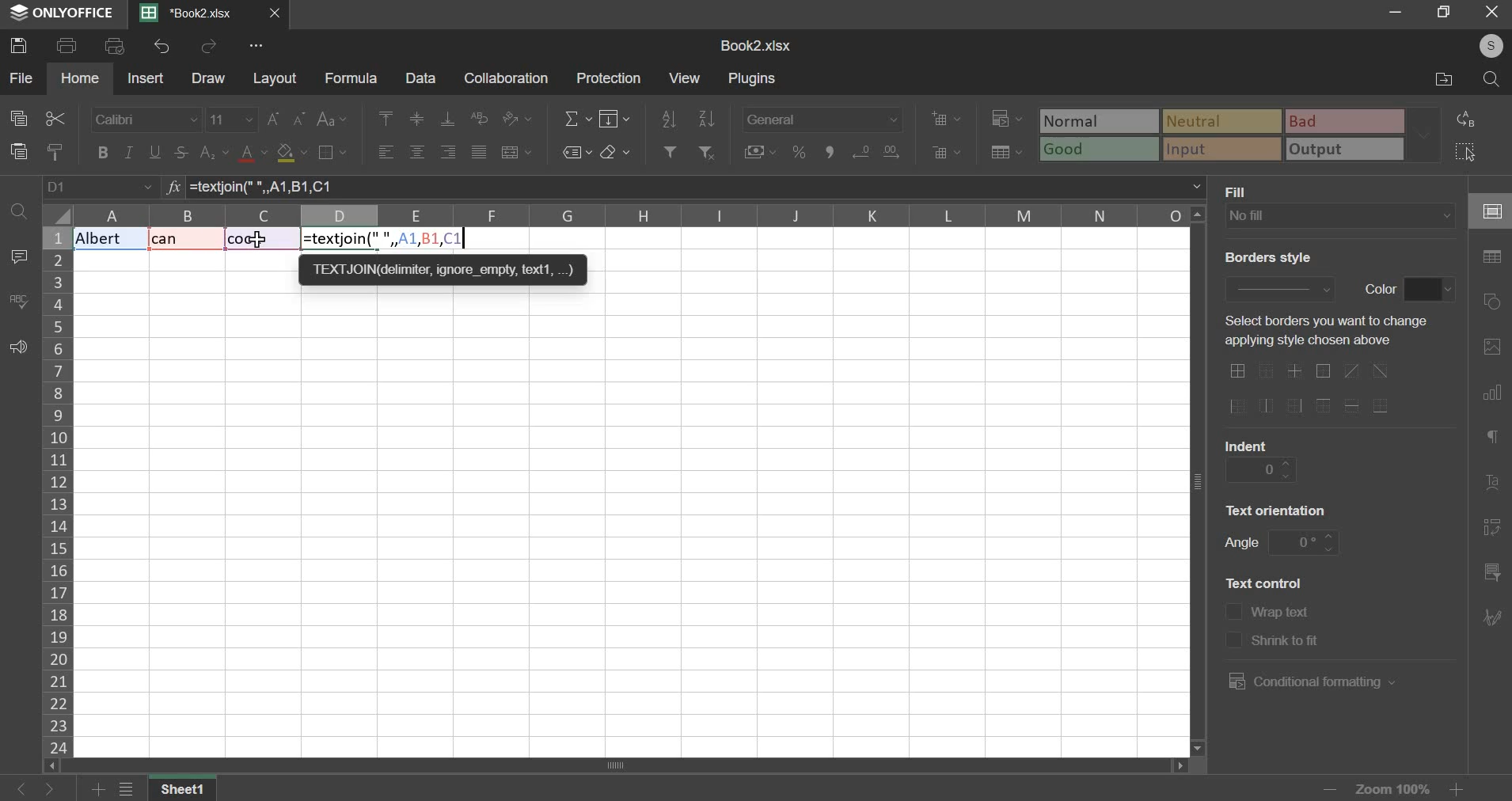  What do you see at coordinates (709, 151) in the screenshot?
I see `remove filter` at bounding box center [709, 151].